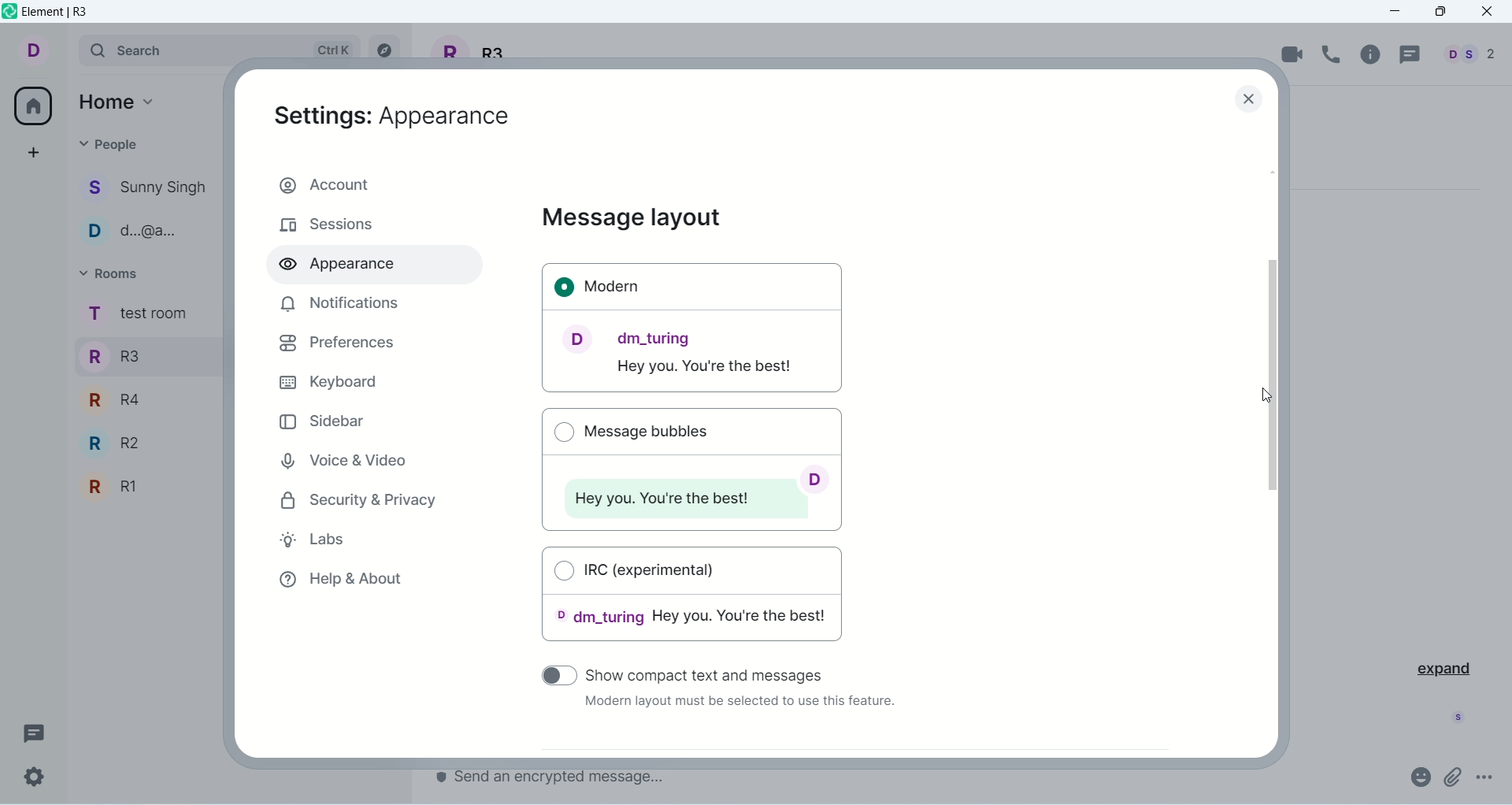 The height and width of the screenshot is (805, 1512). I want to click on text, so click(738, 704).